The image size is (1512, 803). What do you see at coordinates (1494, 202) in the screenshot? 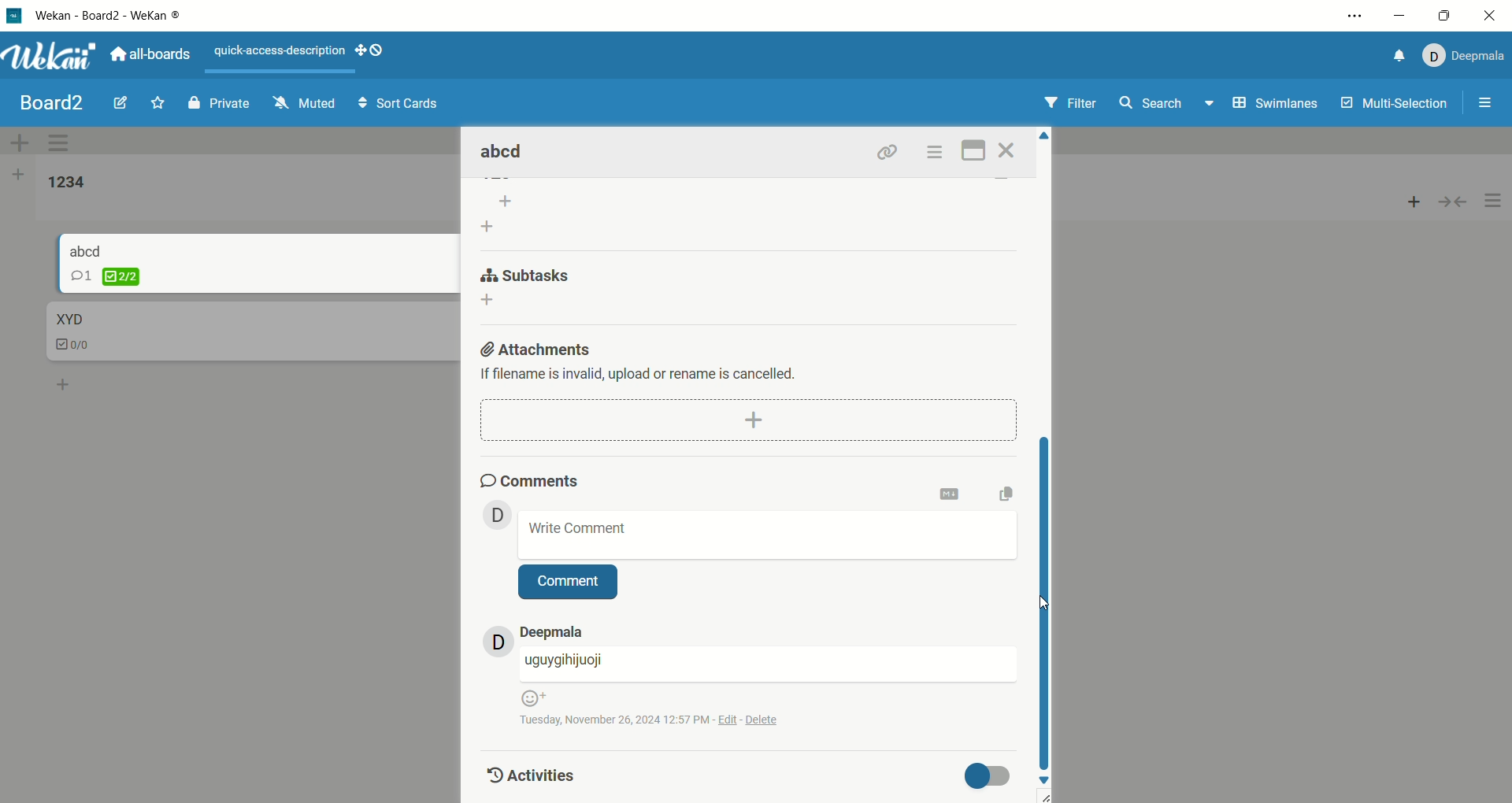
I see `options` at bounding box center [1494, 202].